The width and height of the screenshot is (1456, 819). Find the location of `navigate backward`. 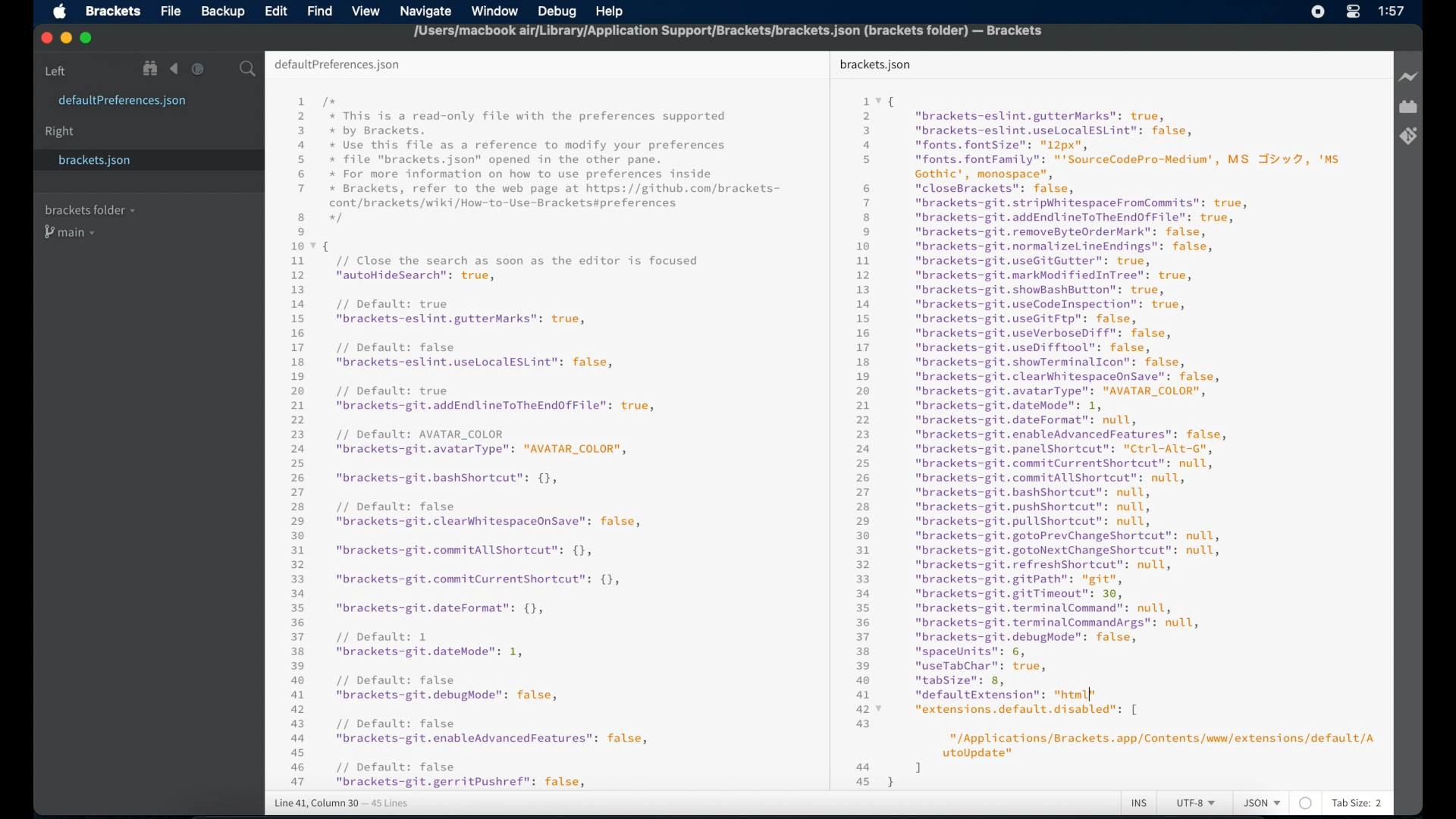

navigate backward is located at coordinates (174, 69).